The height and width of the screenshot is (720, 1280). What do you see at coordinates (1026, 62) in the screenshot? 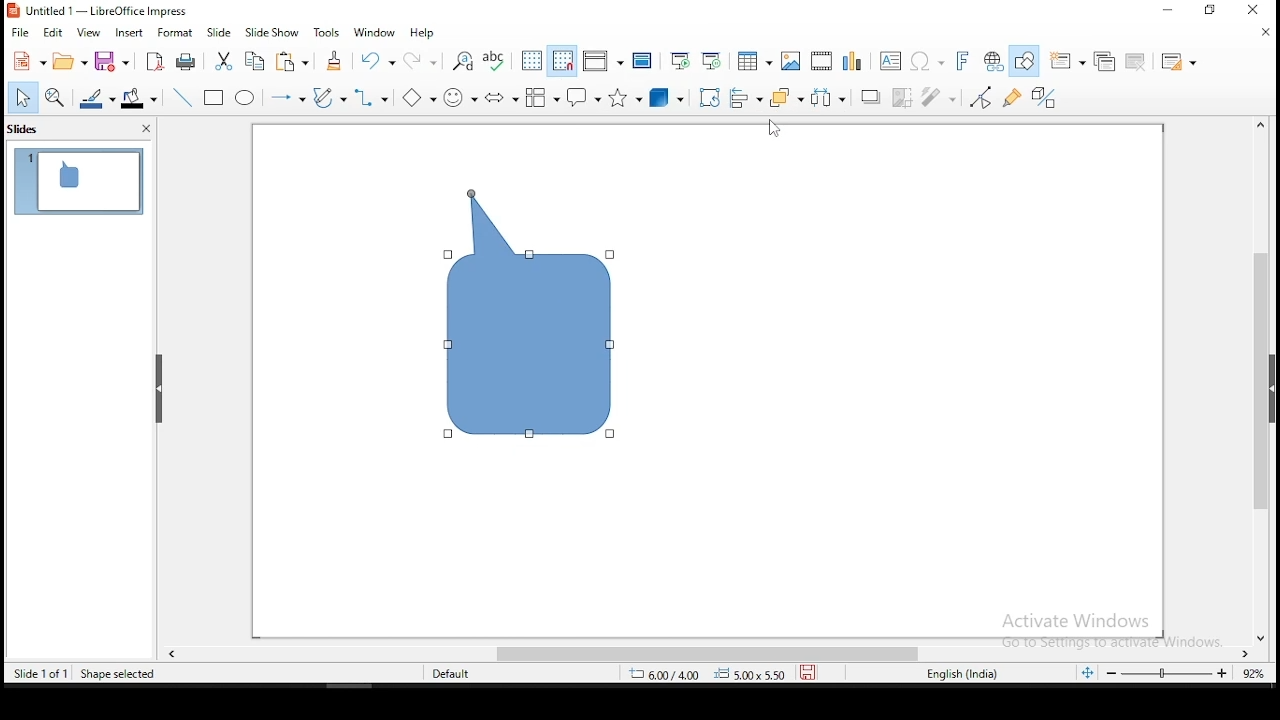
I see `show draw functions` at bounding box center [1026, 62].